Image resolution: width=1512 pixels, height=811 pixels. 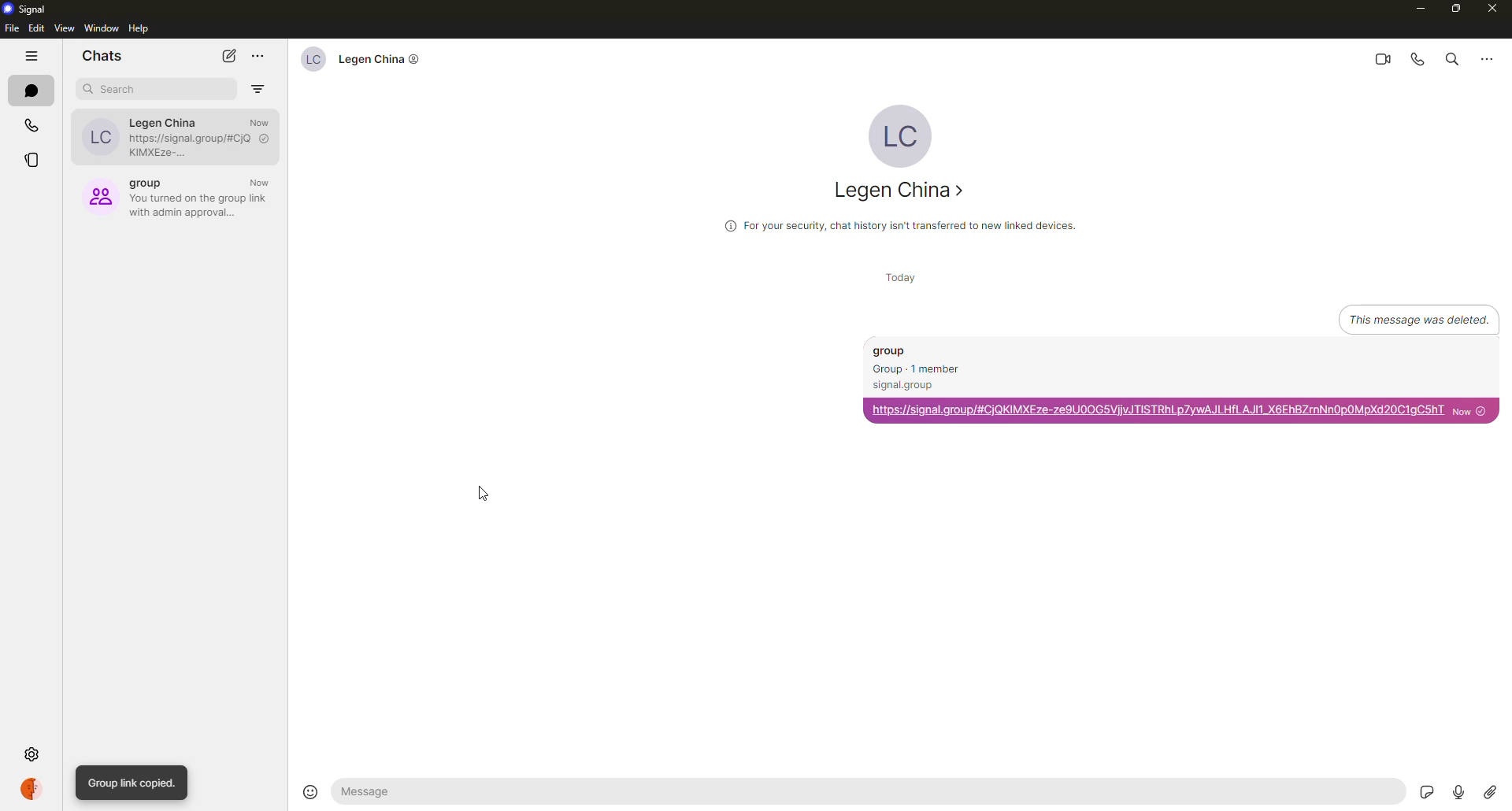 I want to click on day, so click(x=898, y=278).